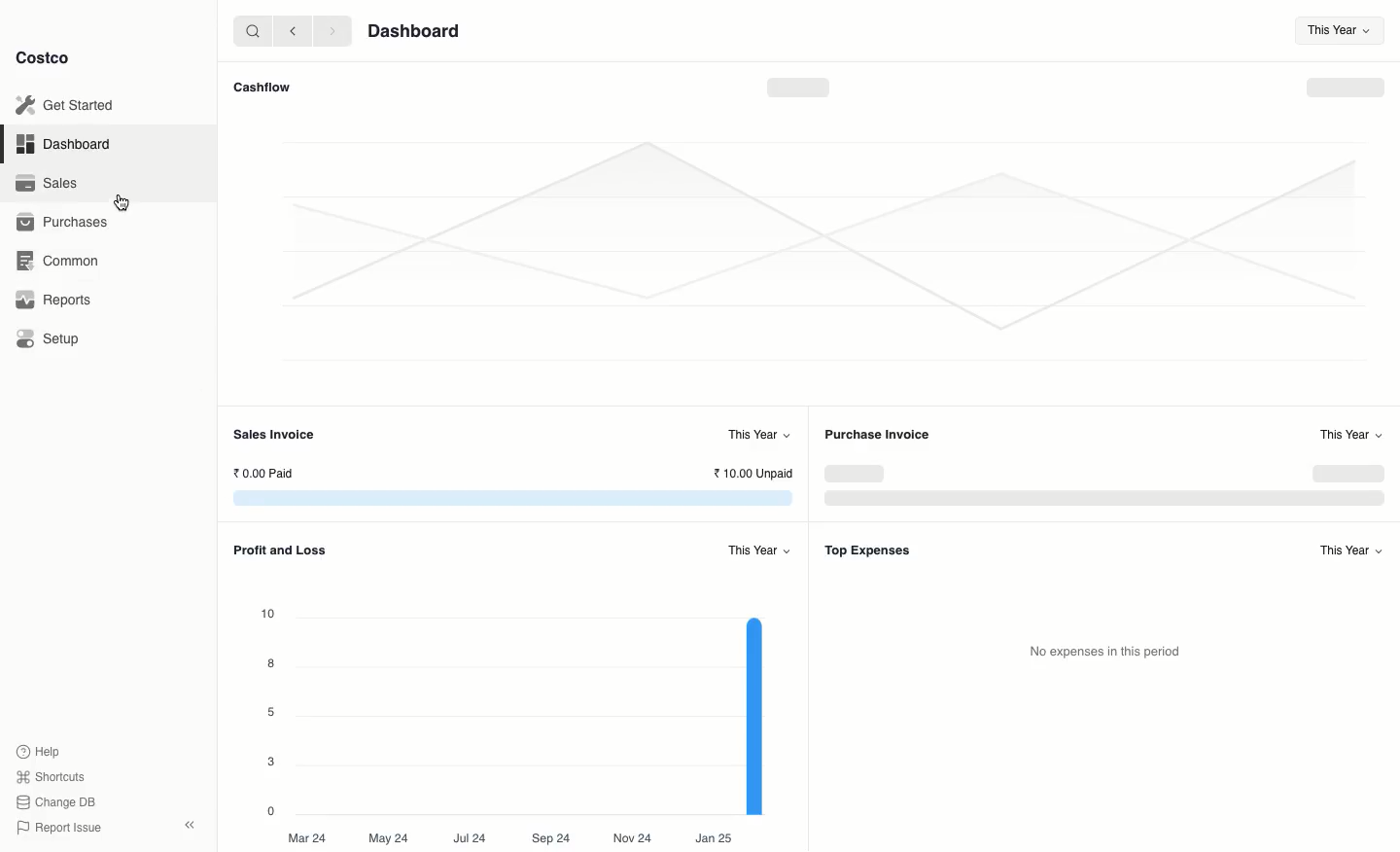 The height and width of the screenshot is (852, 1400). I want to click on 8, so click(269, 661).